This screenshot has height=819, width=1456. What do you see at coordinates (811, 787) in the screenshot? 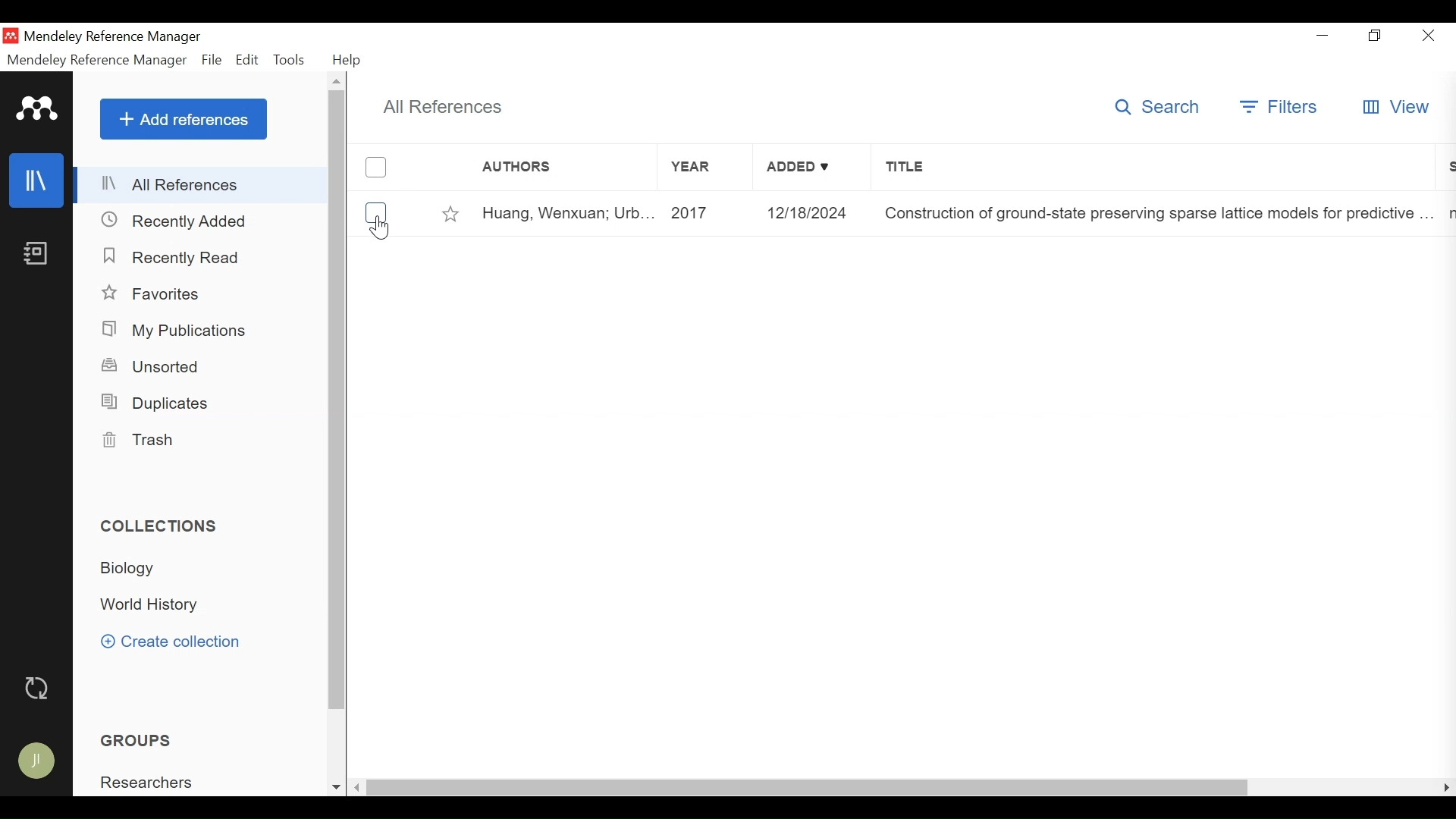
I see `Vertical Scroll bar` at bounding box center [811, 787].